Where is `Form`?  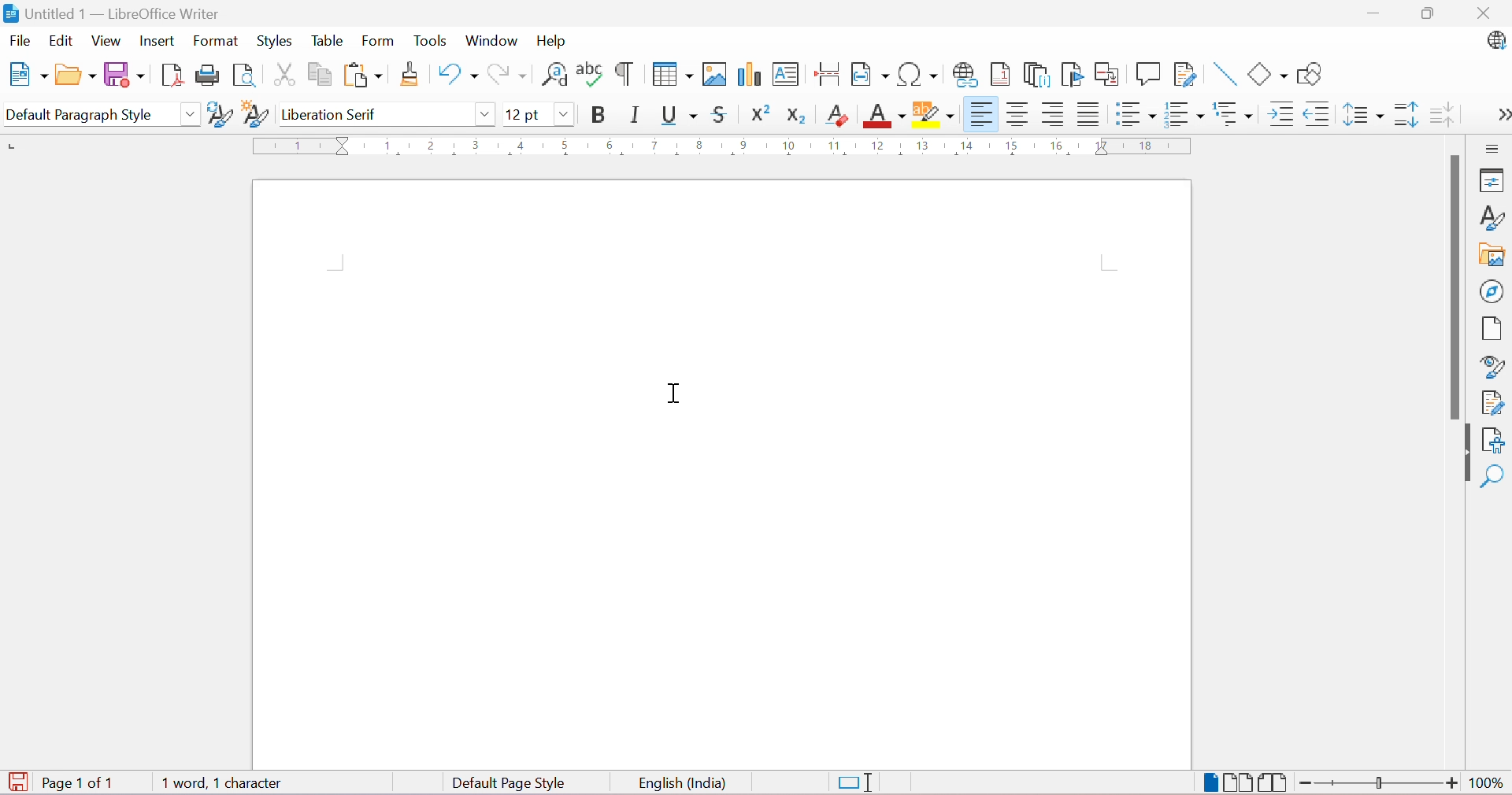 Form is located at coordinates (377, 42).